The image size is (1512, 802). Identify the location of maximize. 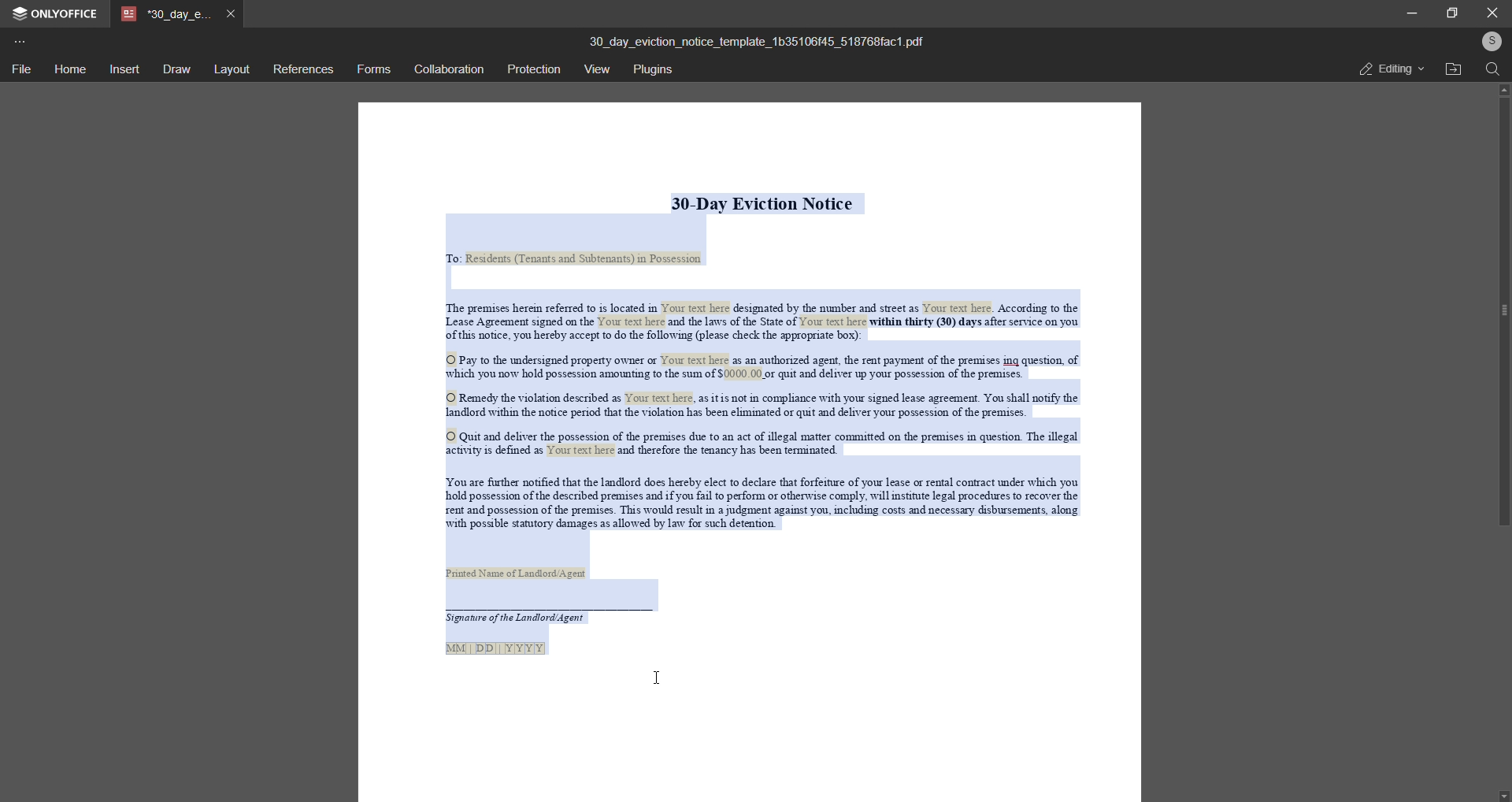
(1452, 13).